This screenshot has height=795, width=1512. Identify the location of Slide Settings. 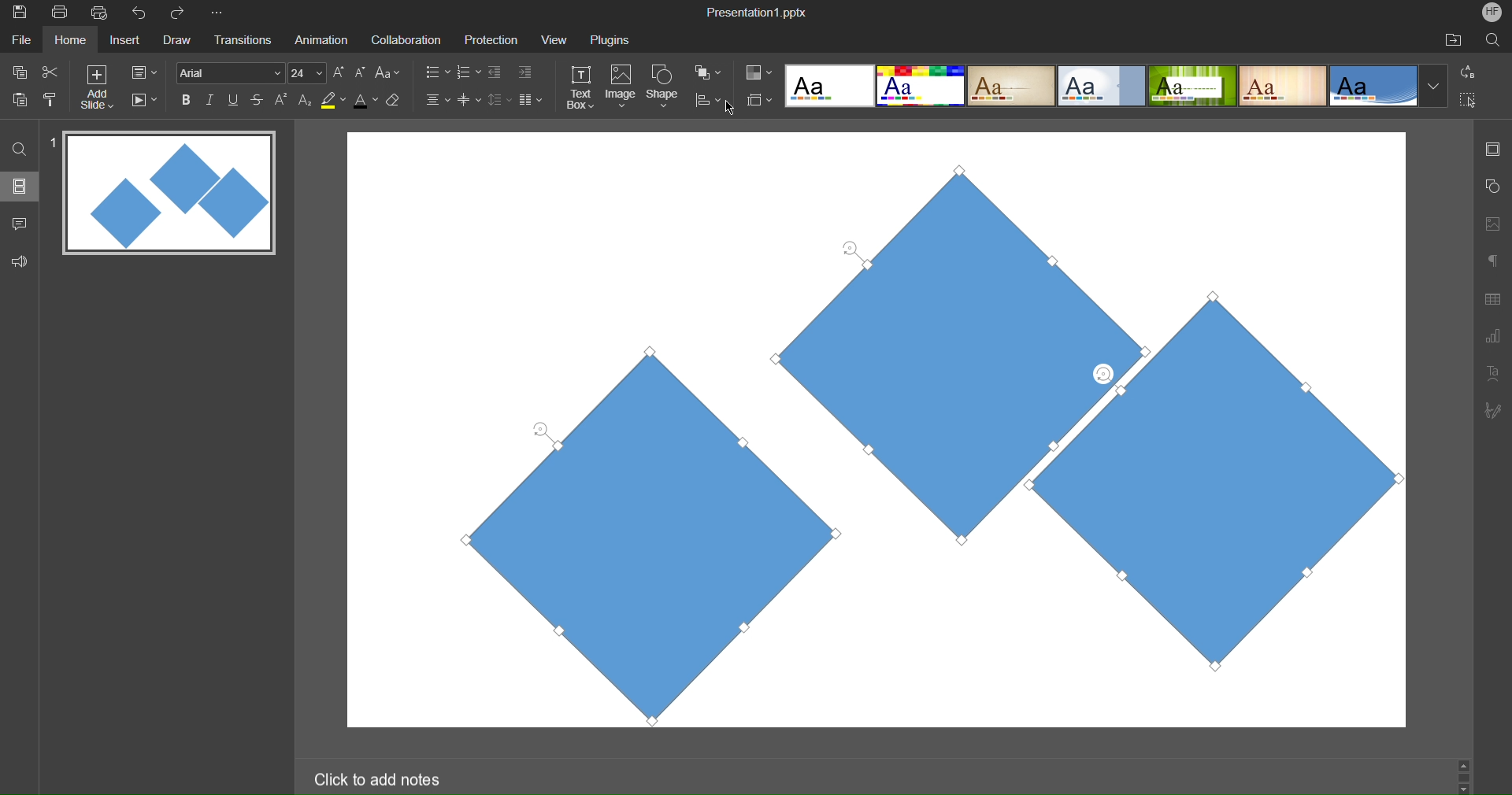
(144, 72).